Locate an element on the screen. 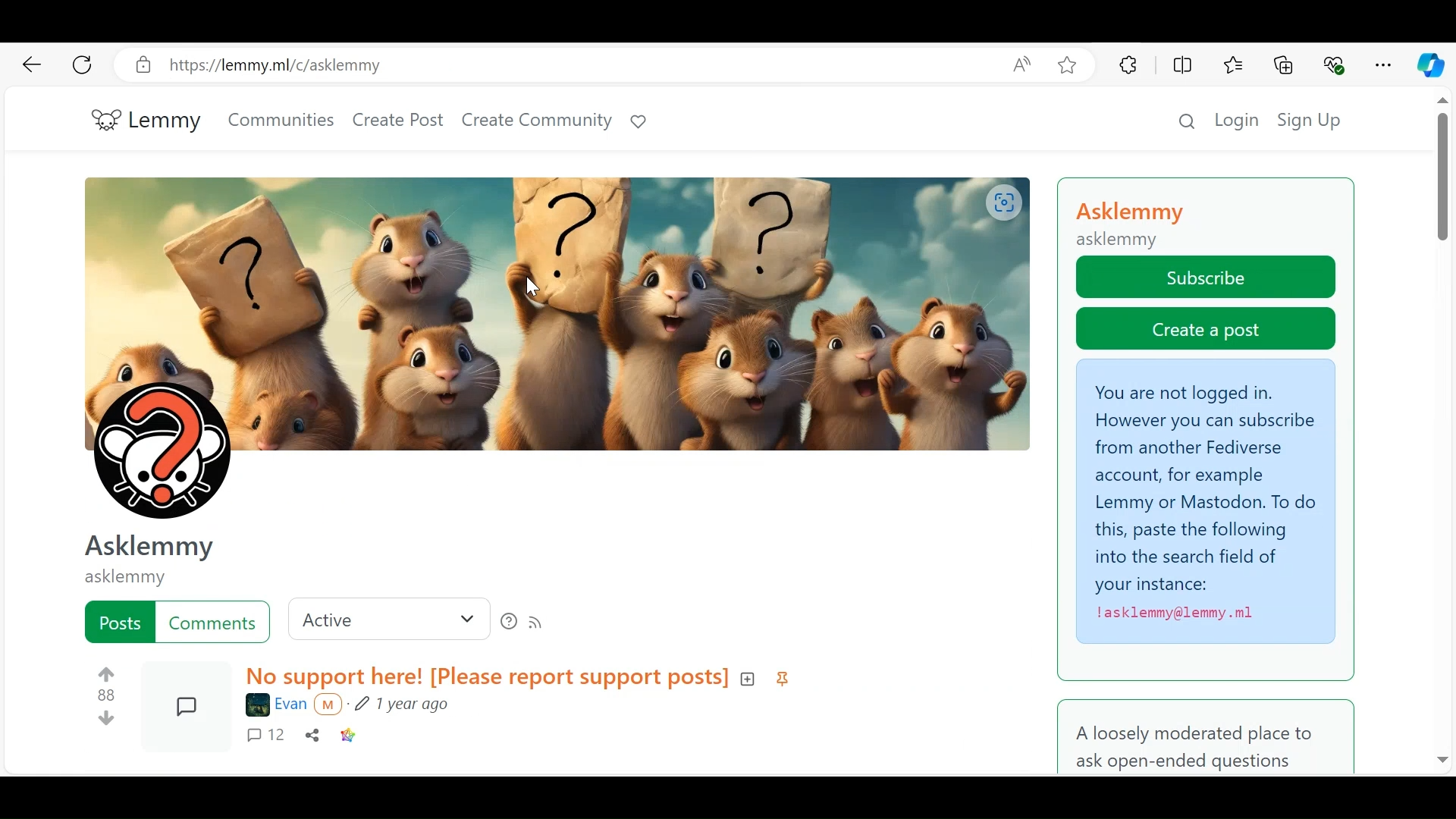  cursor is located at coordinates (533, 290).